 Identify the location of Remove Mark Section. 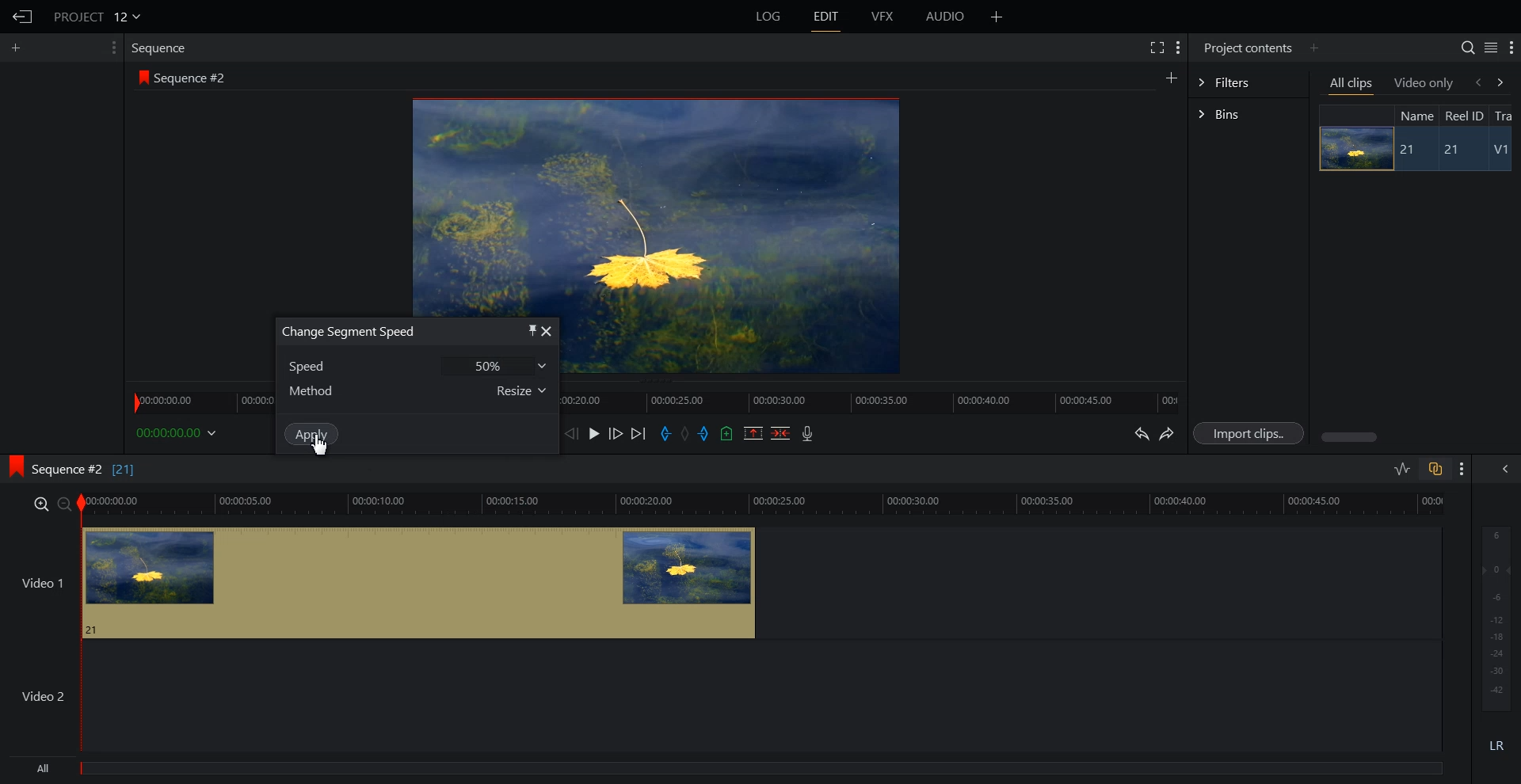
(753, 433).